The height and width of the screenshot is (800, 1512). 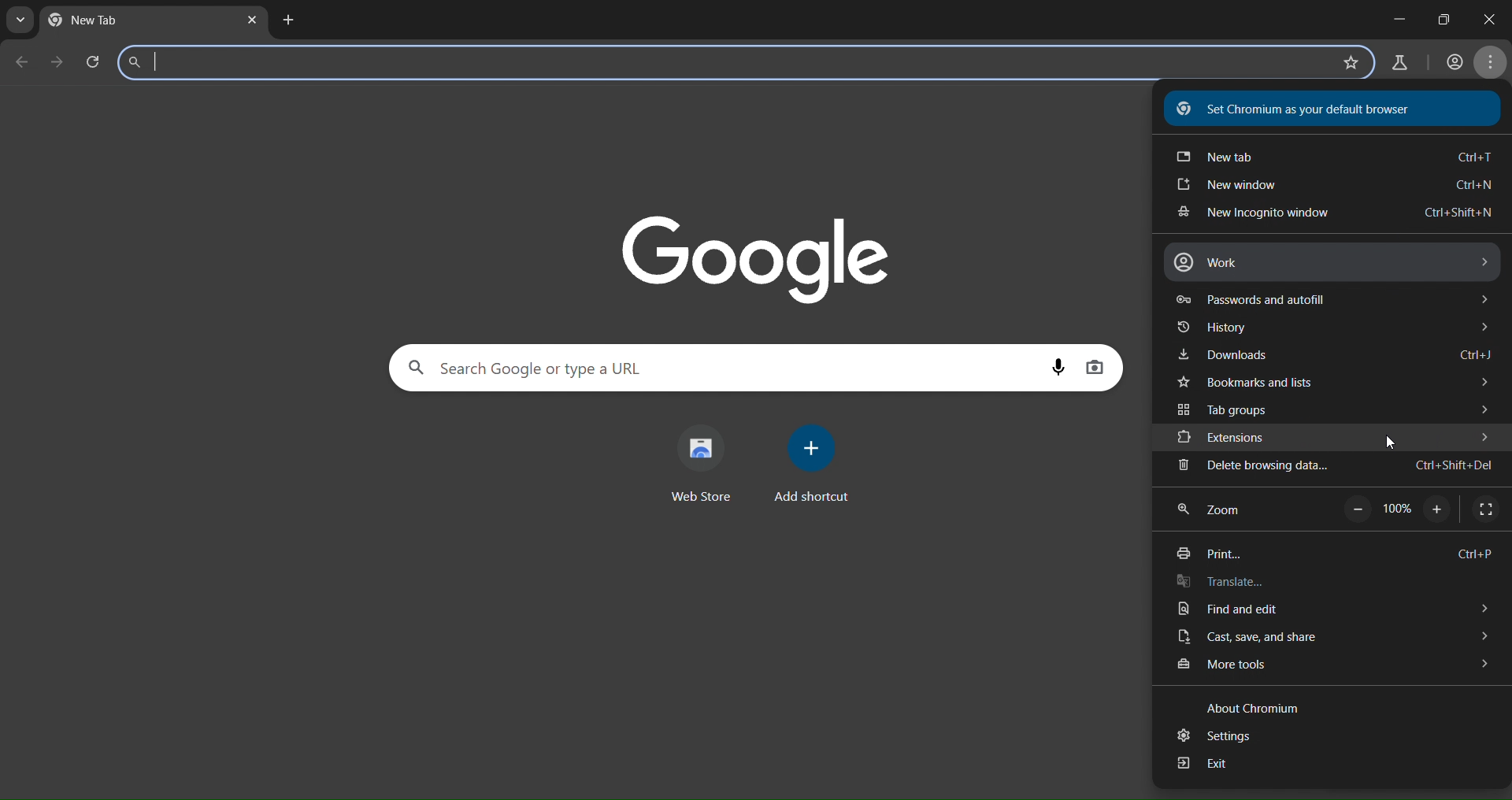 I want to click on new incognito window, so click(x=1332, y=216).